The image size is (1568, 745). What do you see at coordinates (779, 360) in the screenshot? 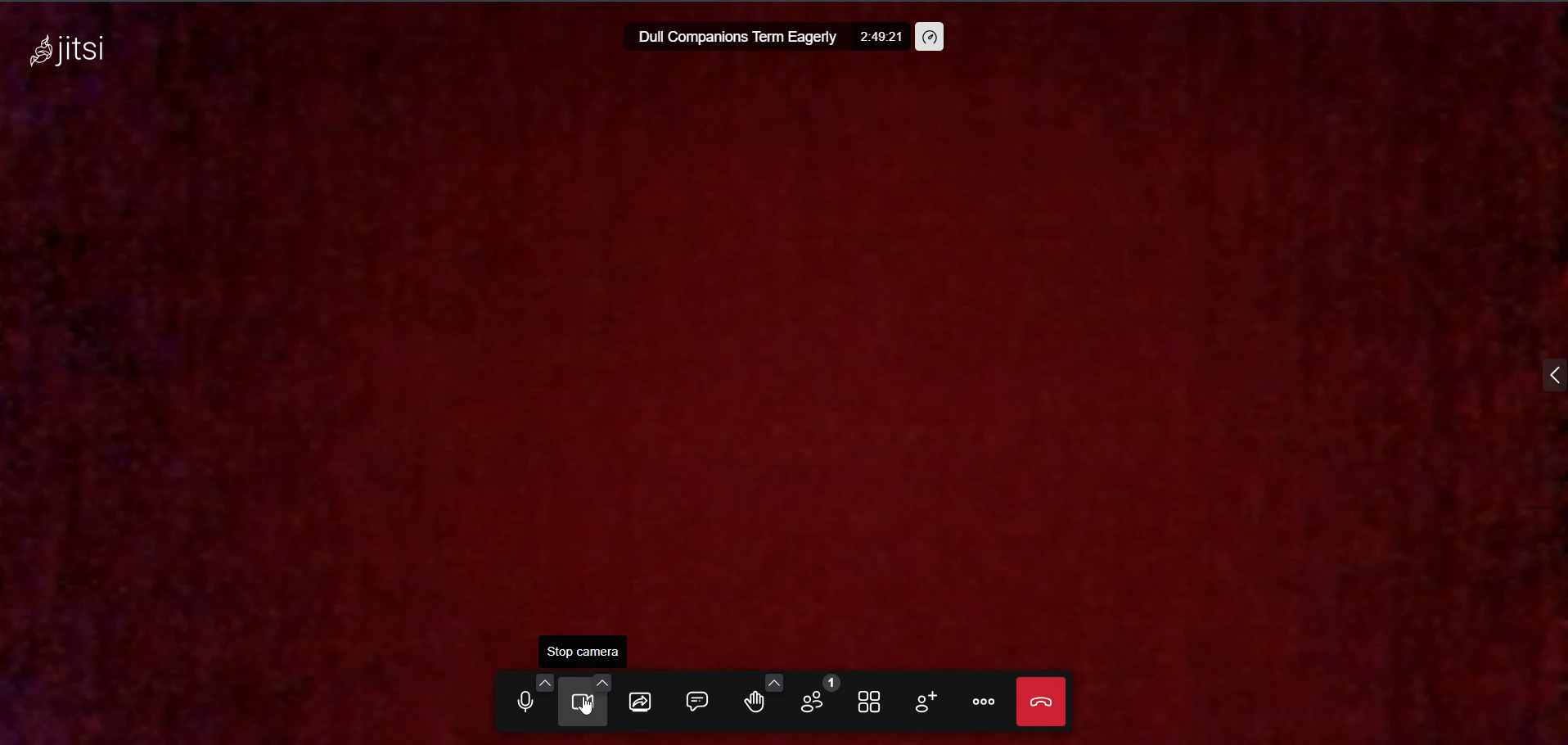
I see `video display` at bounding box center [779, 360].